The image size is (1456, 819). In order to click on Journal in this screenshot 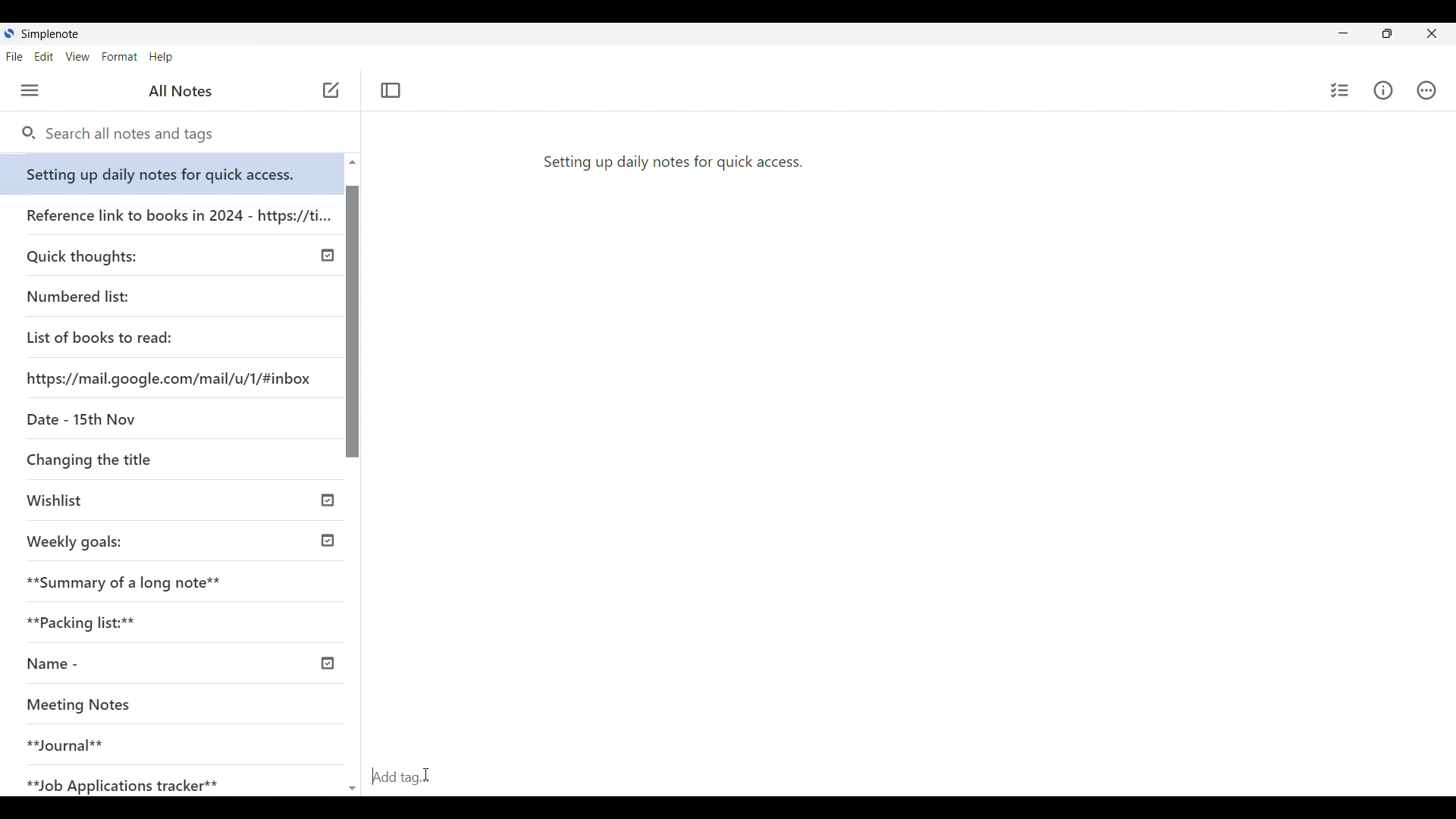, I will do `click(151, 739)`.